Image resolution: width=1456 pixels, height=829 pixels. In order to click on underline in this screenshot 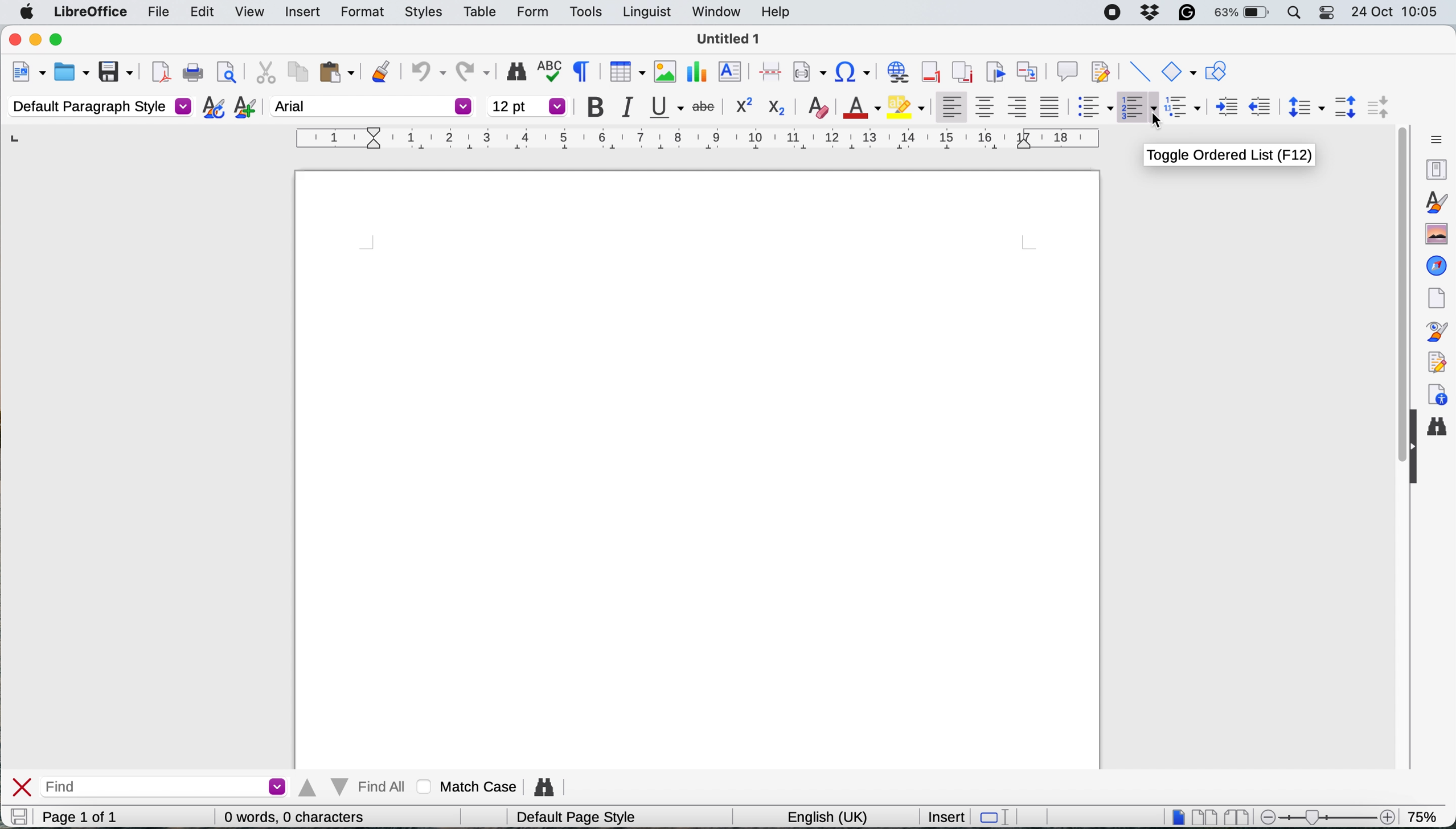, I will do `click(667, 107)`.